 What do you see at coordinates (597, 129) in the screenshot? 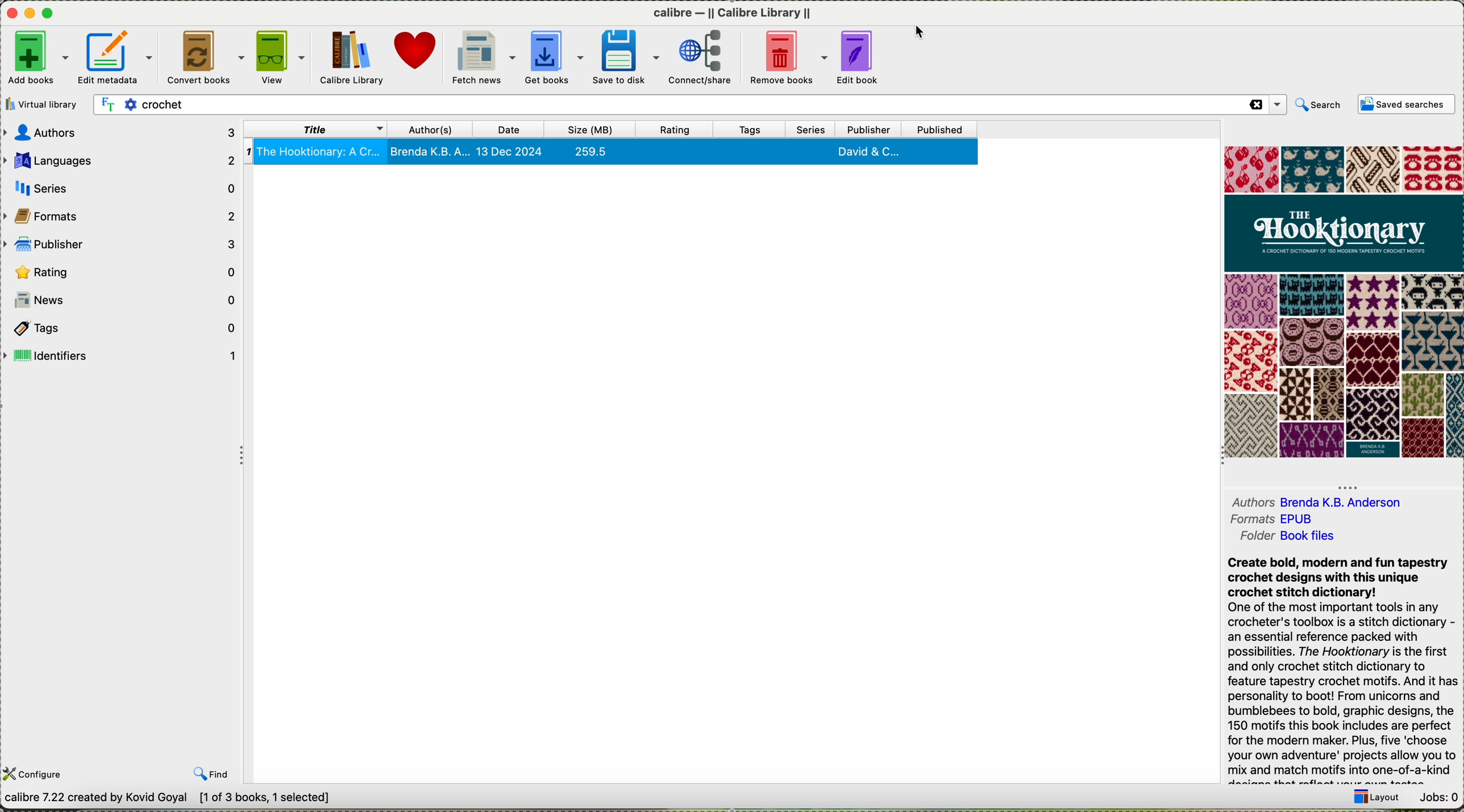
I see `Size (MB)` at bounding box center [597, 129].